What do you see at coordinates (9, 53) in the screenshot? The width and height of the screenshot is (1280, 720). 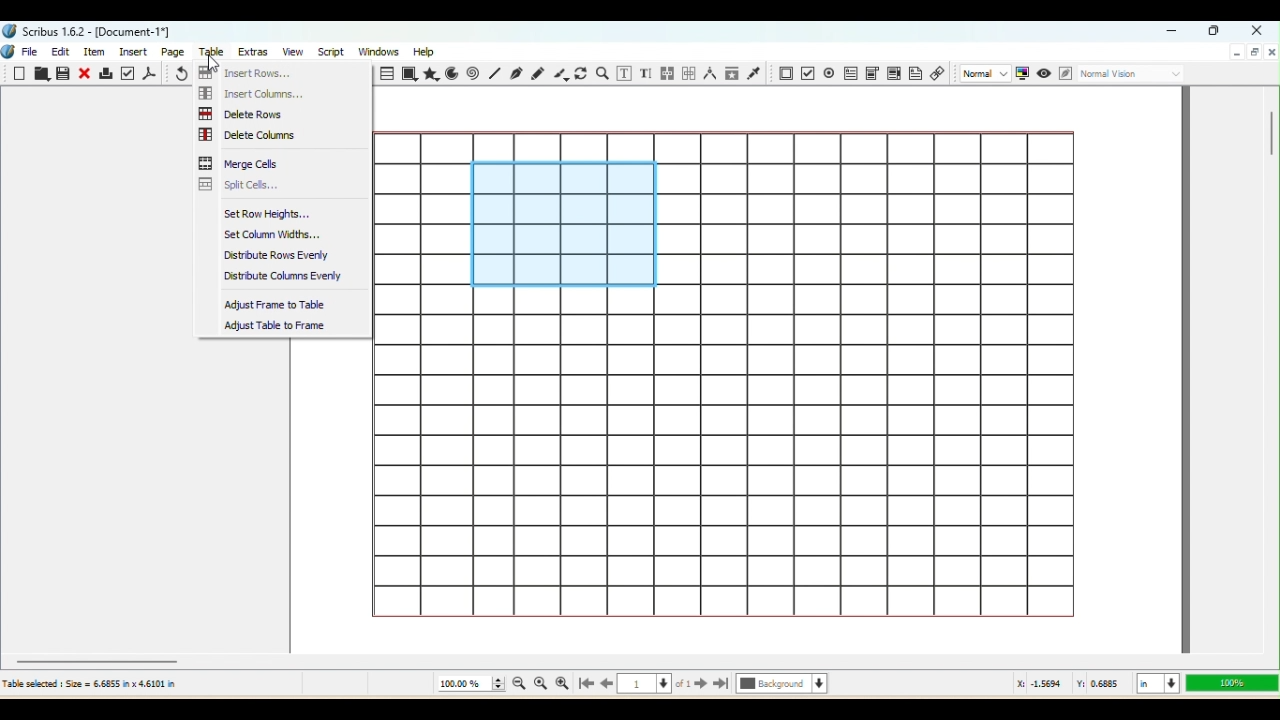 I see `Logo` at bounding box center [9, 53].